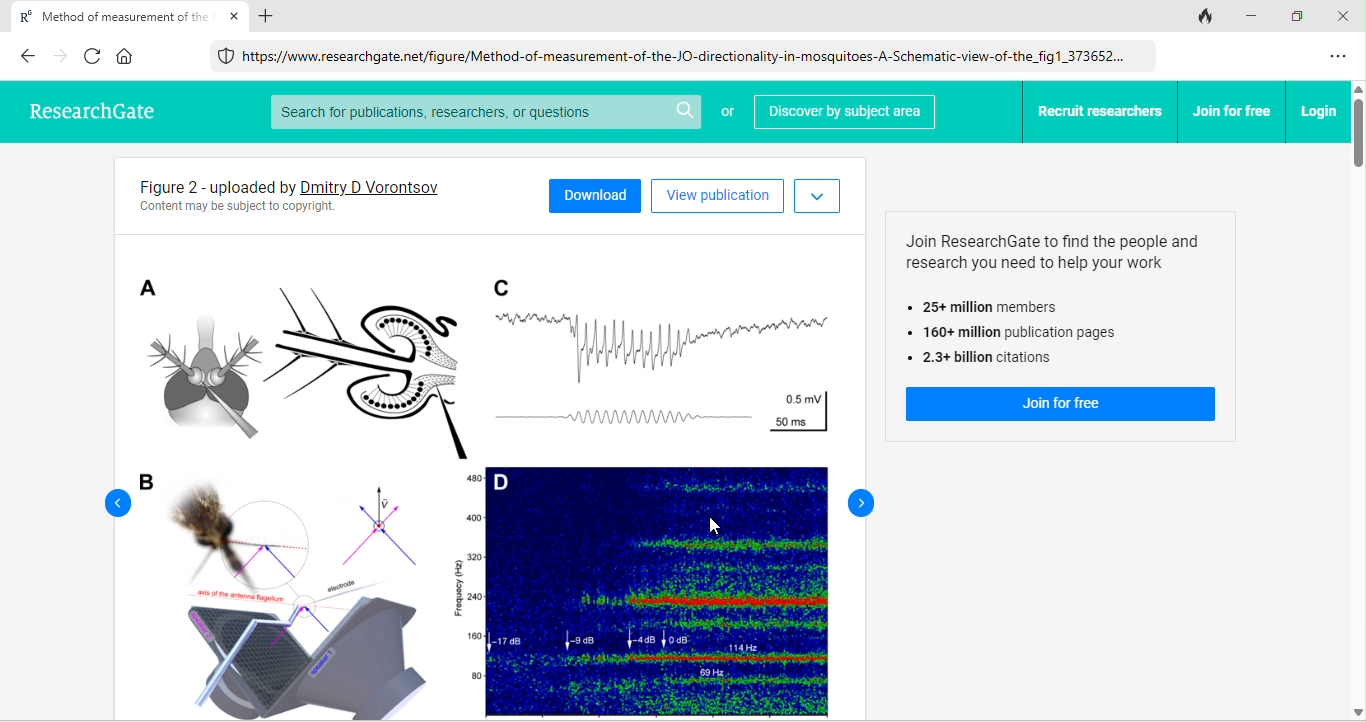 The height and width of the screenshot is (722, 1366). What do you see at coordinates (88, 108) in the screenshot?
I see `research gate` at bounding box center [88, 108].